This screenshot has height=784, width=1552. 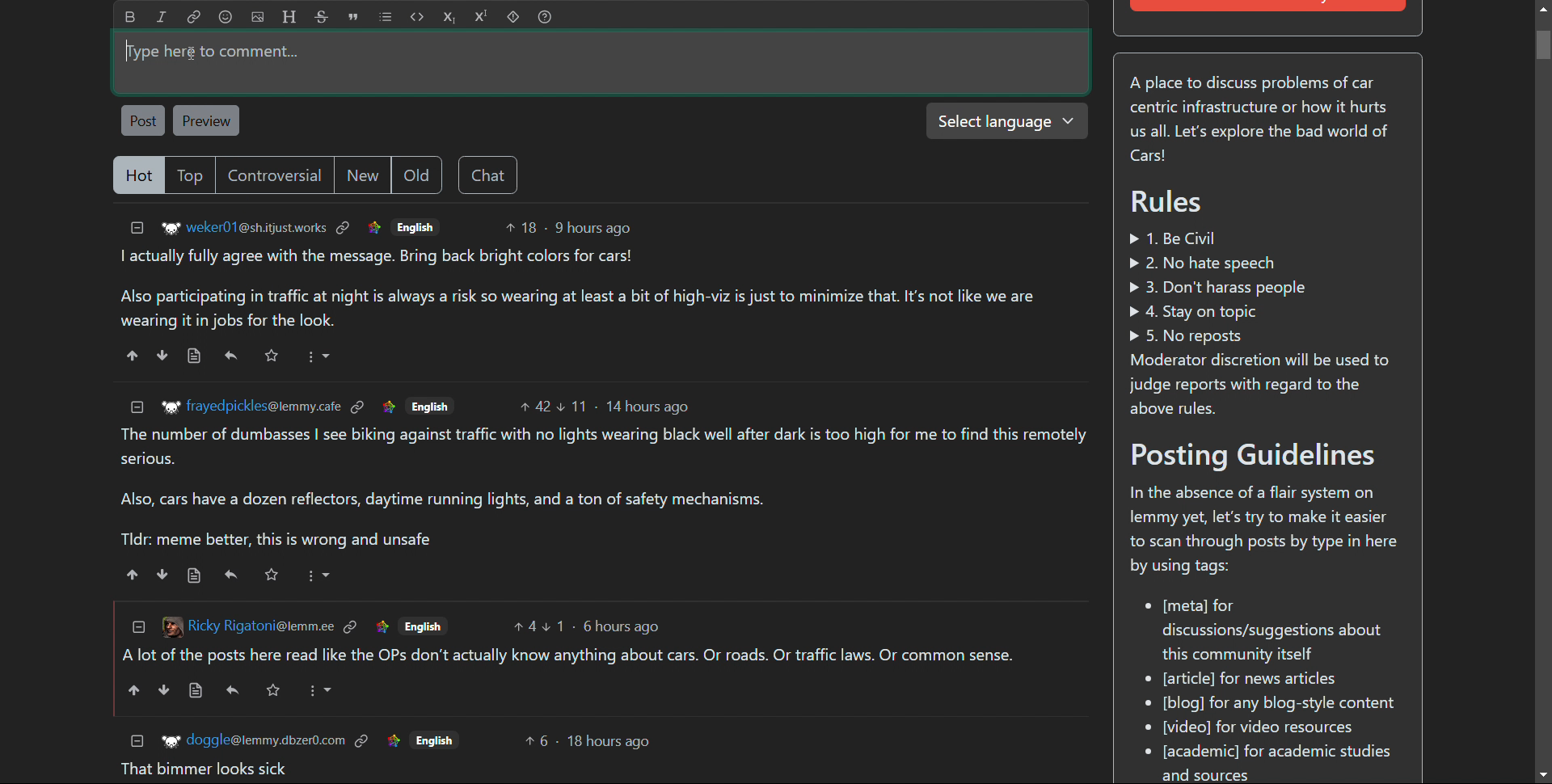 What do you see at coordinates (161, 356) in the screenshot?
I see `downvote` at bounding box center [161, 356].